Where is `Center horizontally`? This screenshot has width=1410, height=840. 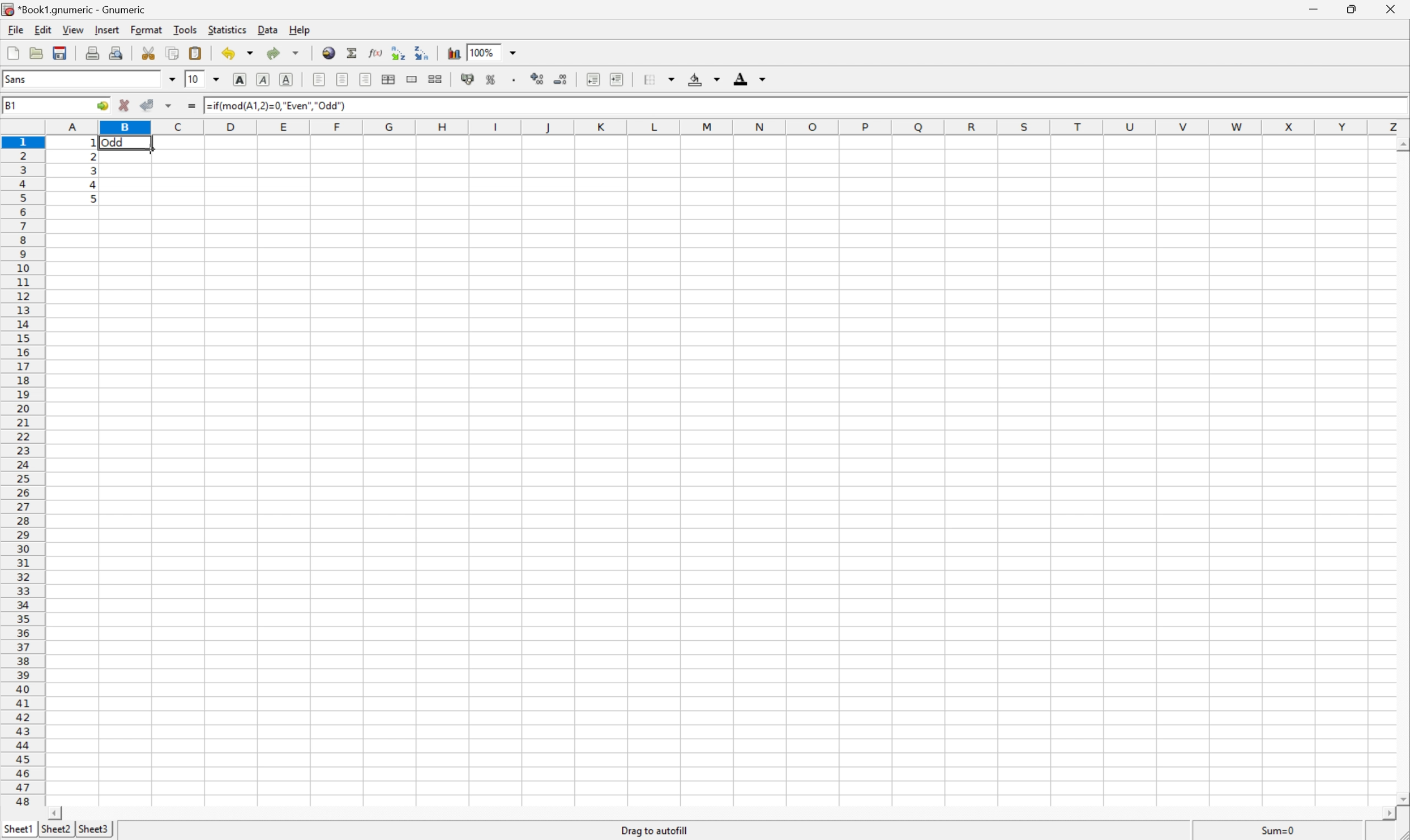
Center horizontally is located at coordinates (342, 78).